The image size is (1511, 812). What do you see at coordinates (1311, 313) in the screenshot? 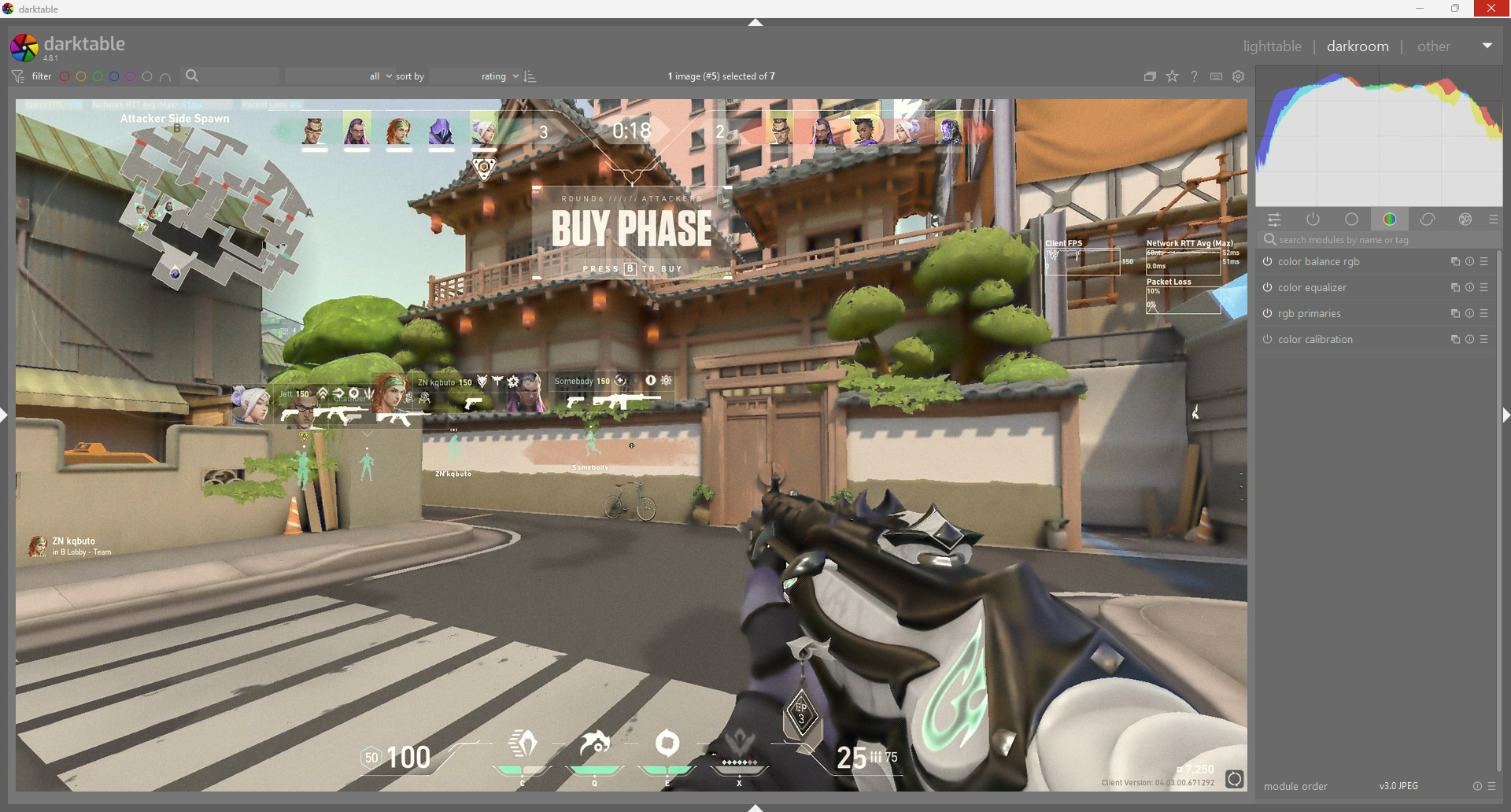
I see `rgb primaries` at bounding box center [1311, 313].